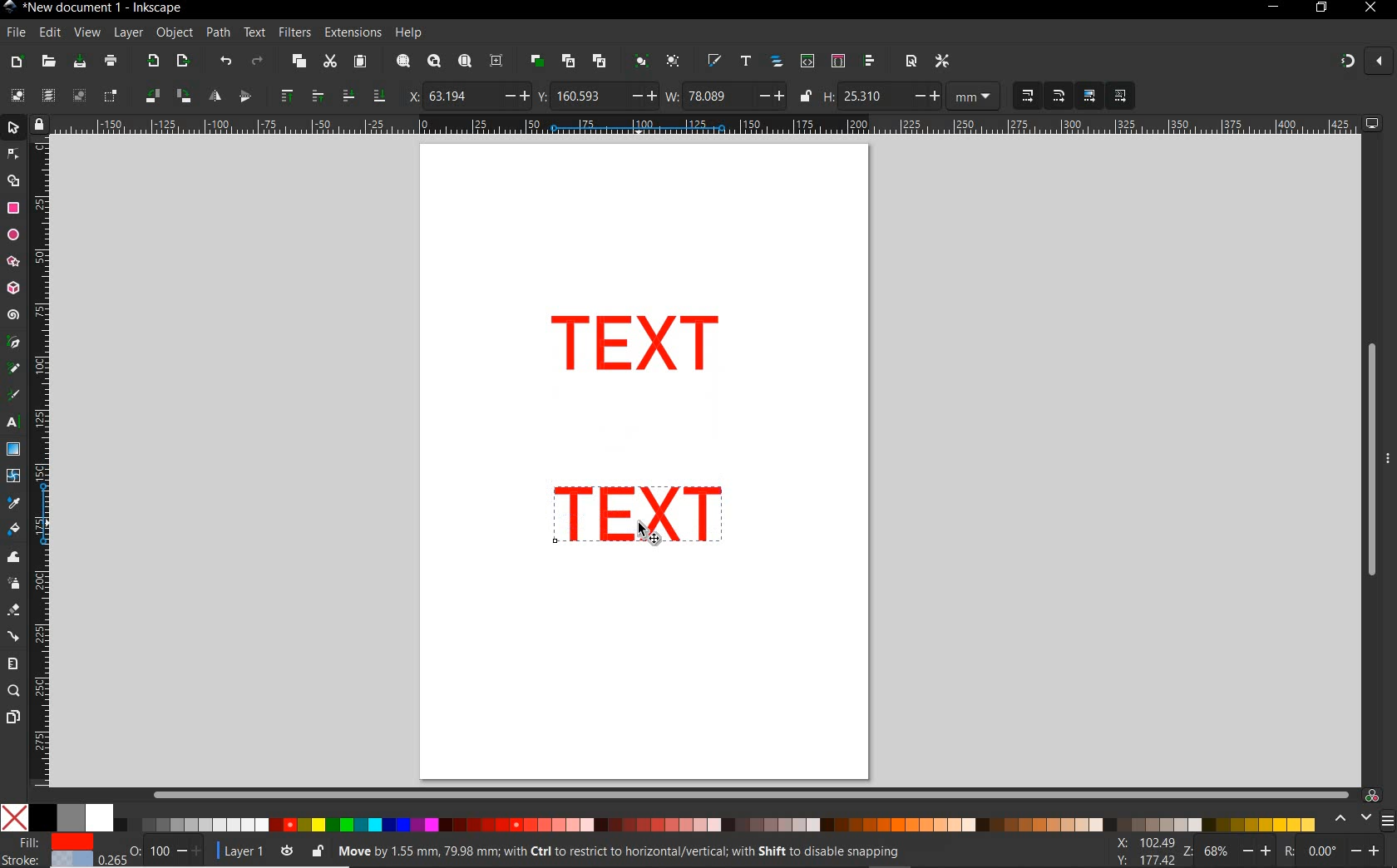 The width and height of the screenshot is (1397, 868). What do you see at coordinates (1090, 96) in the screenshot?
I see `MOVE GRADIENT` at bounding box center [1090, 96].